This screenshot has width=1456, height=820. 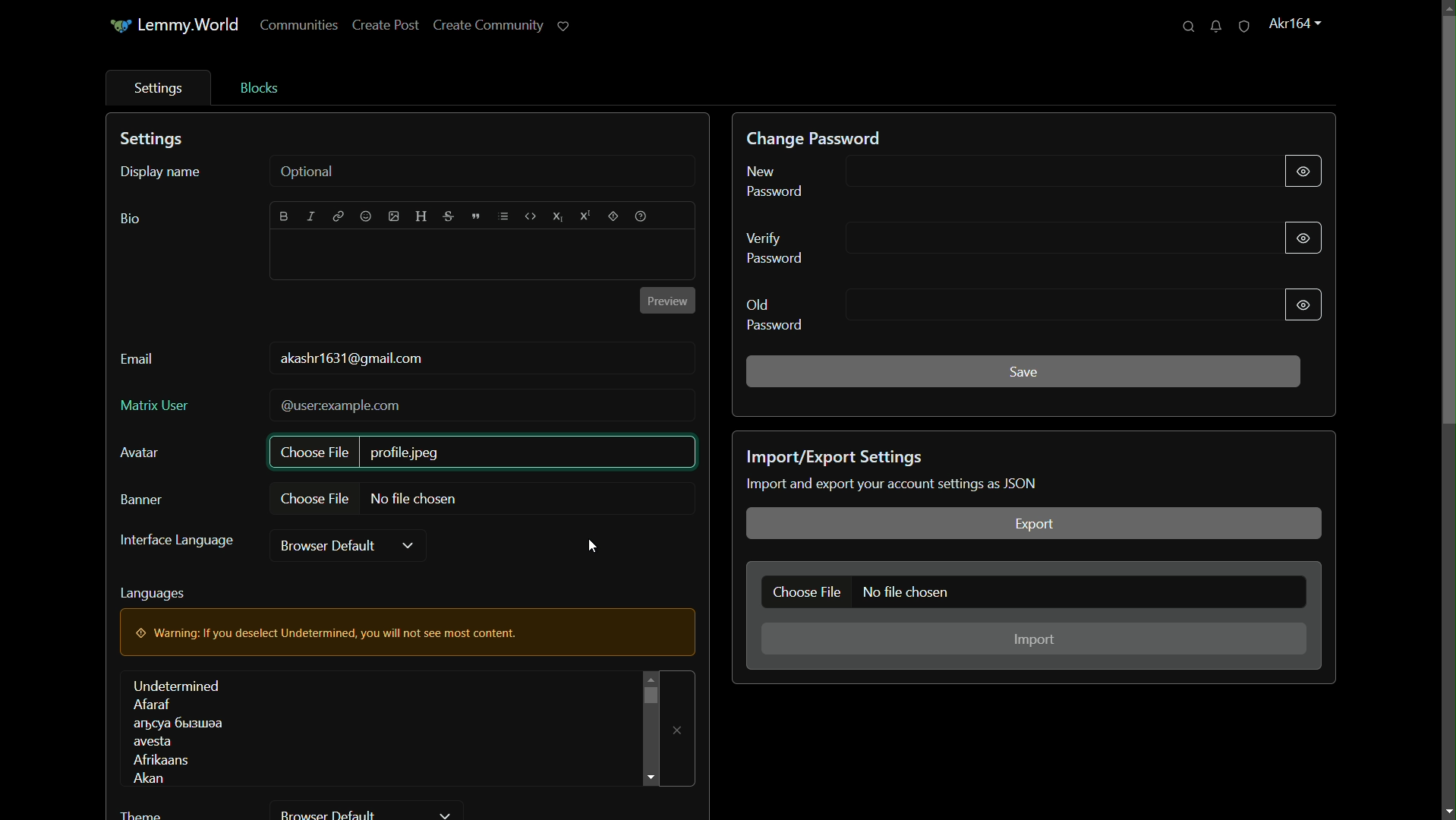 I want to click on @userexample.com, so click(x=342, y=406).